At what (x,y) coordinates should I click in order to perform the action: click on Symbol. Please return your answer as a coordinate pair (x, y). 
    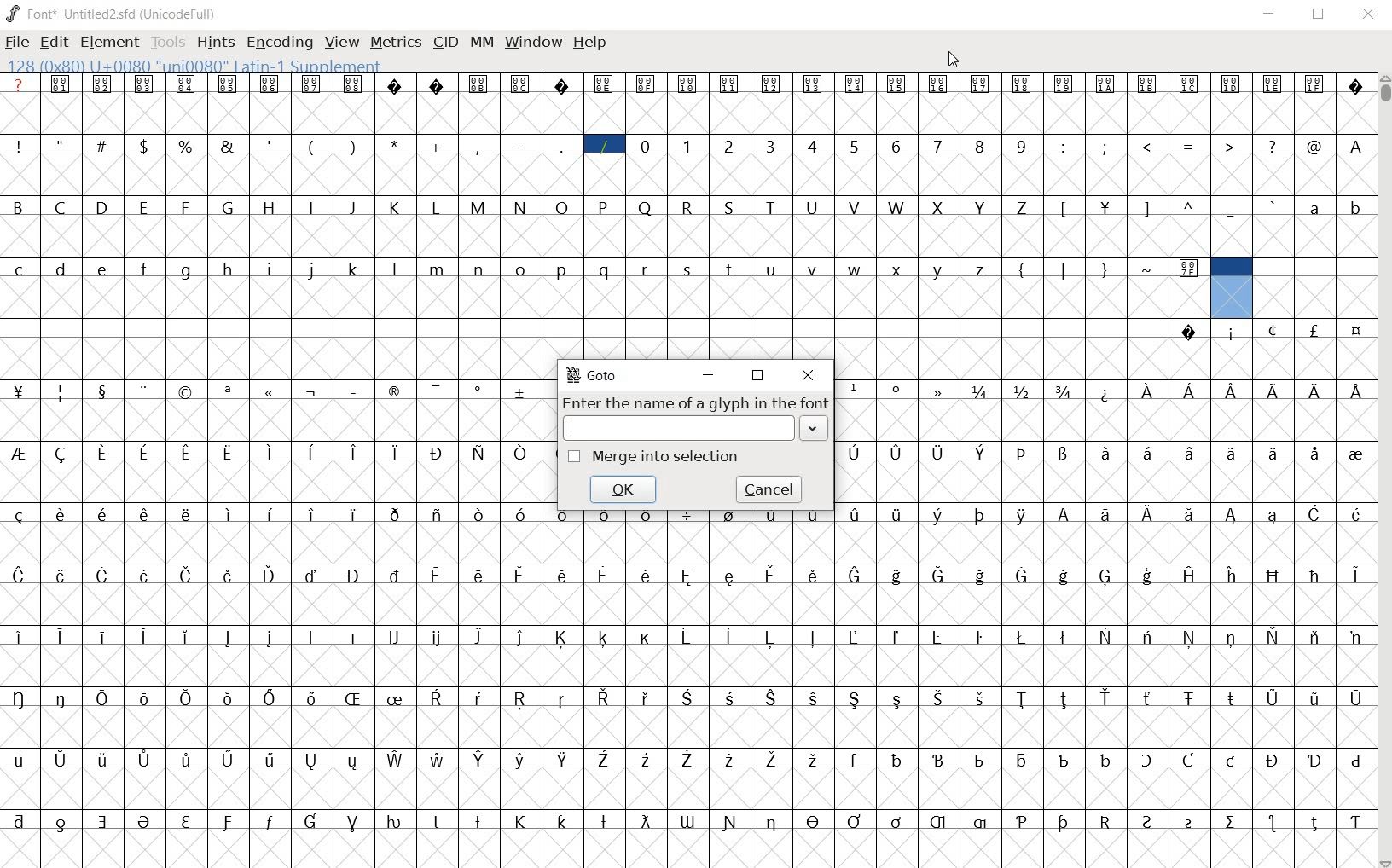
    Looking at the image, I should click on (853, 636).